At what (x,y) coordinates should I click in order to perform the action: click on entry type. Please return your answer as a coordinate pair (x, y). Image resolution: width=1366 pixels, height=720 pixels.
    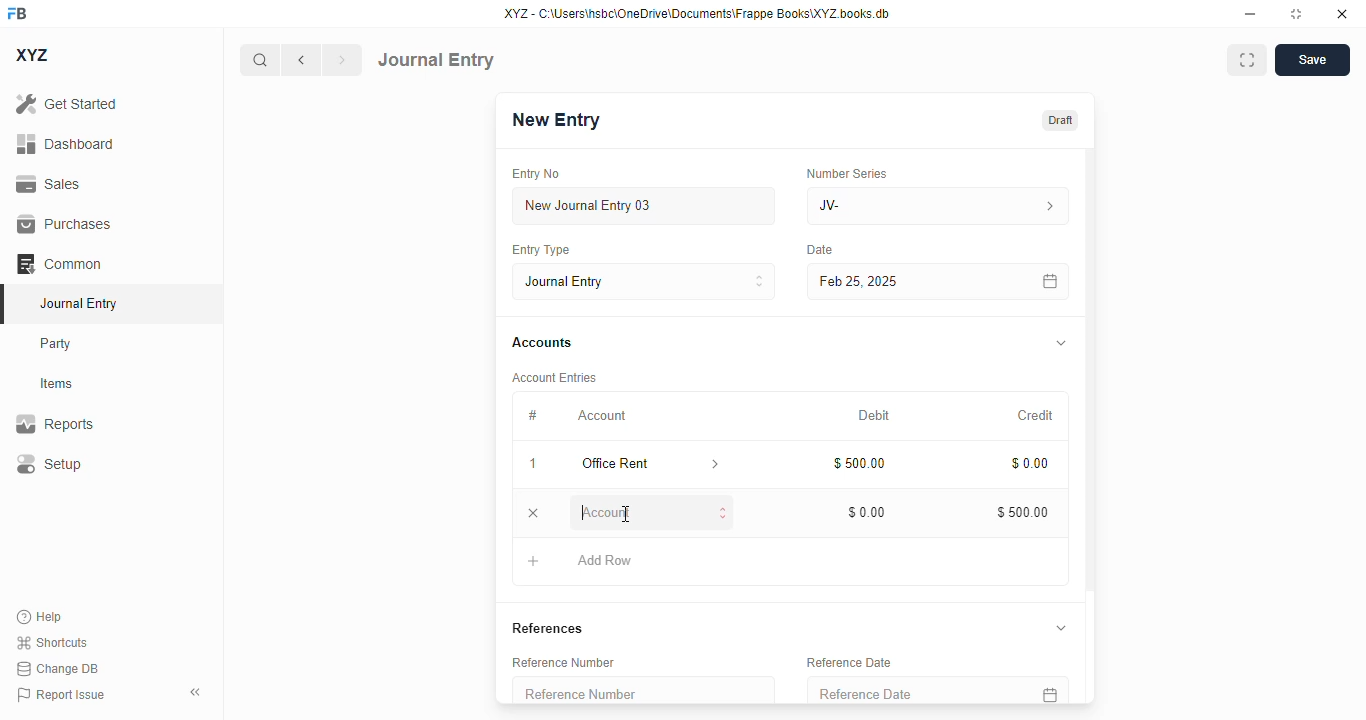
    Looking at the image, I should click on (539, 249).